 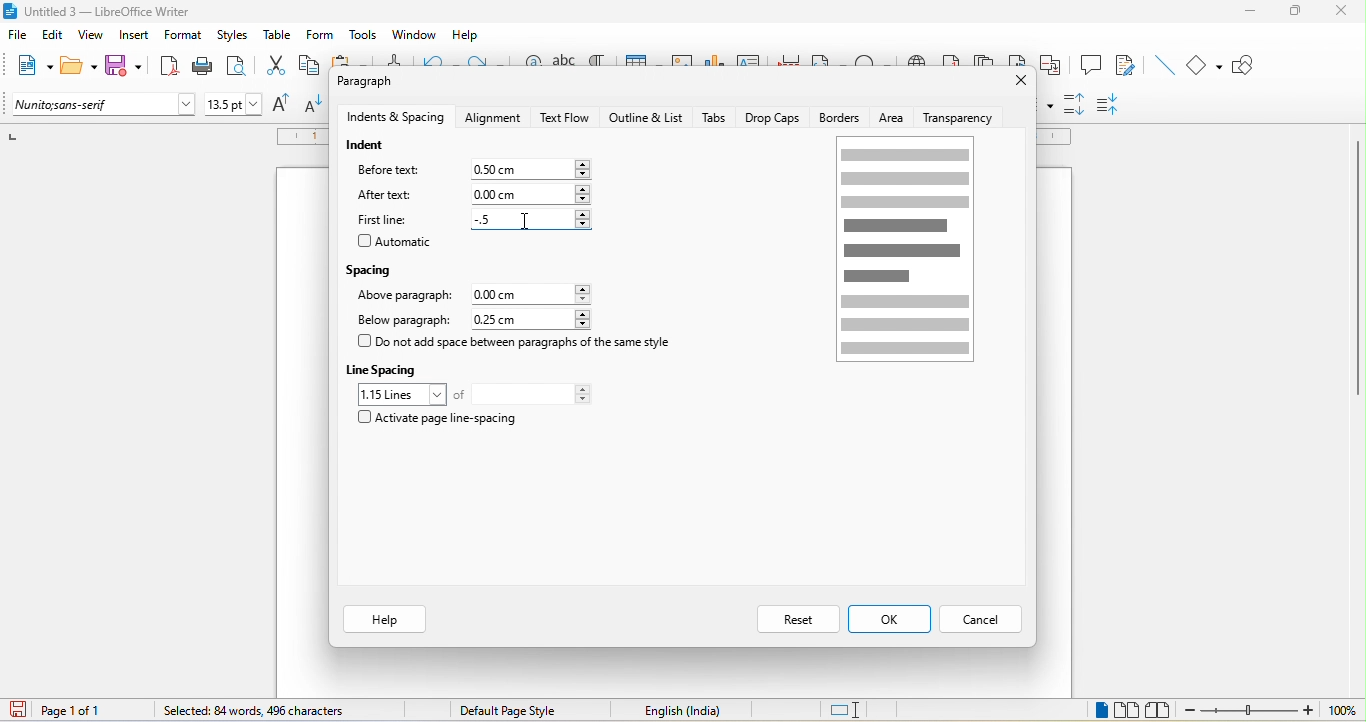 I want to click on help, so click(x=464, y=34).